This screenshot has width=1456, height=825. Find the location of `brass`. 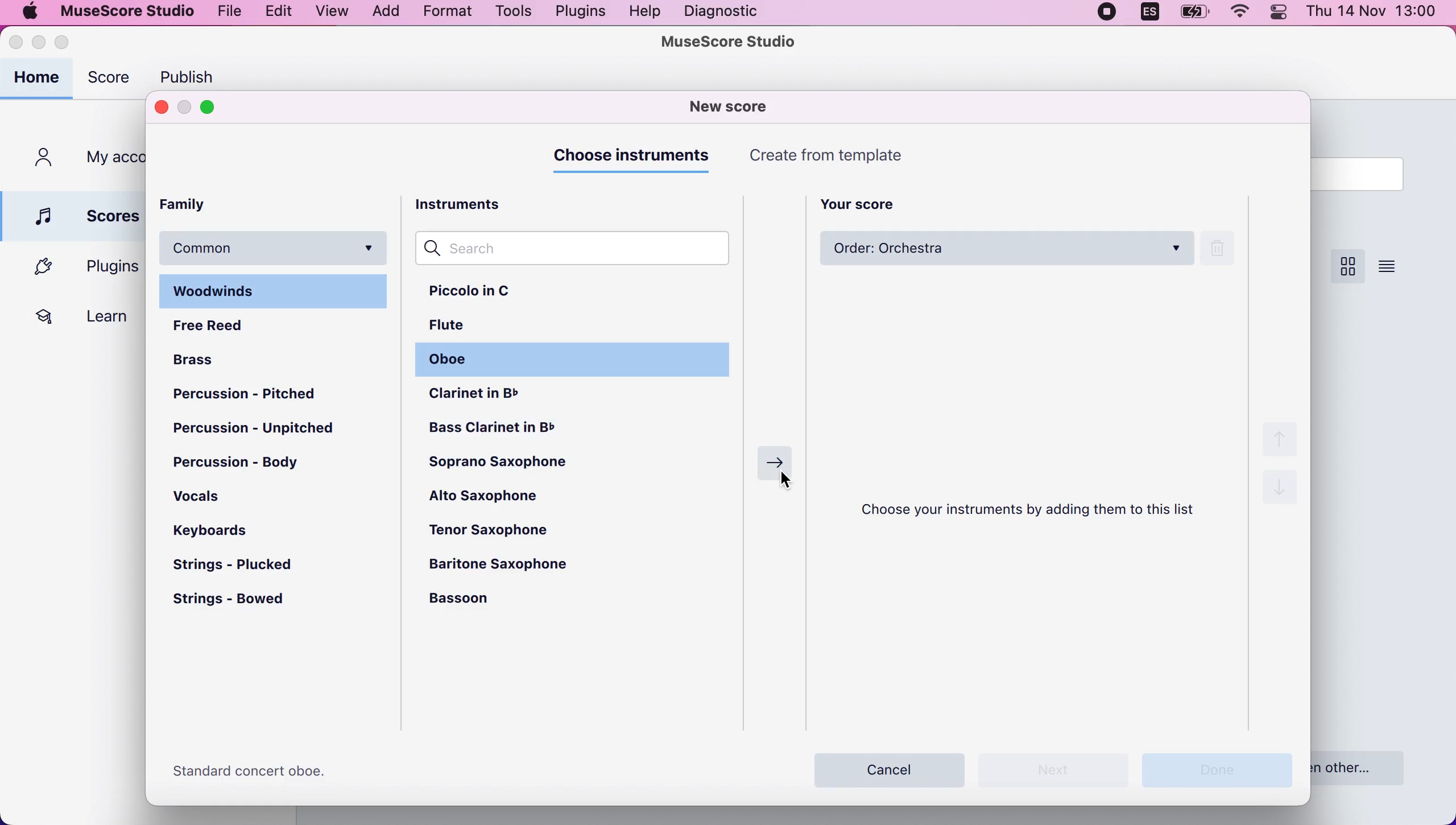

brass is located at coordinates (205, 357).